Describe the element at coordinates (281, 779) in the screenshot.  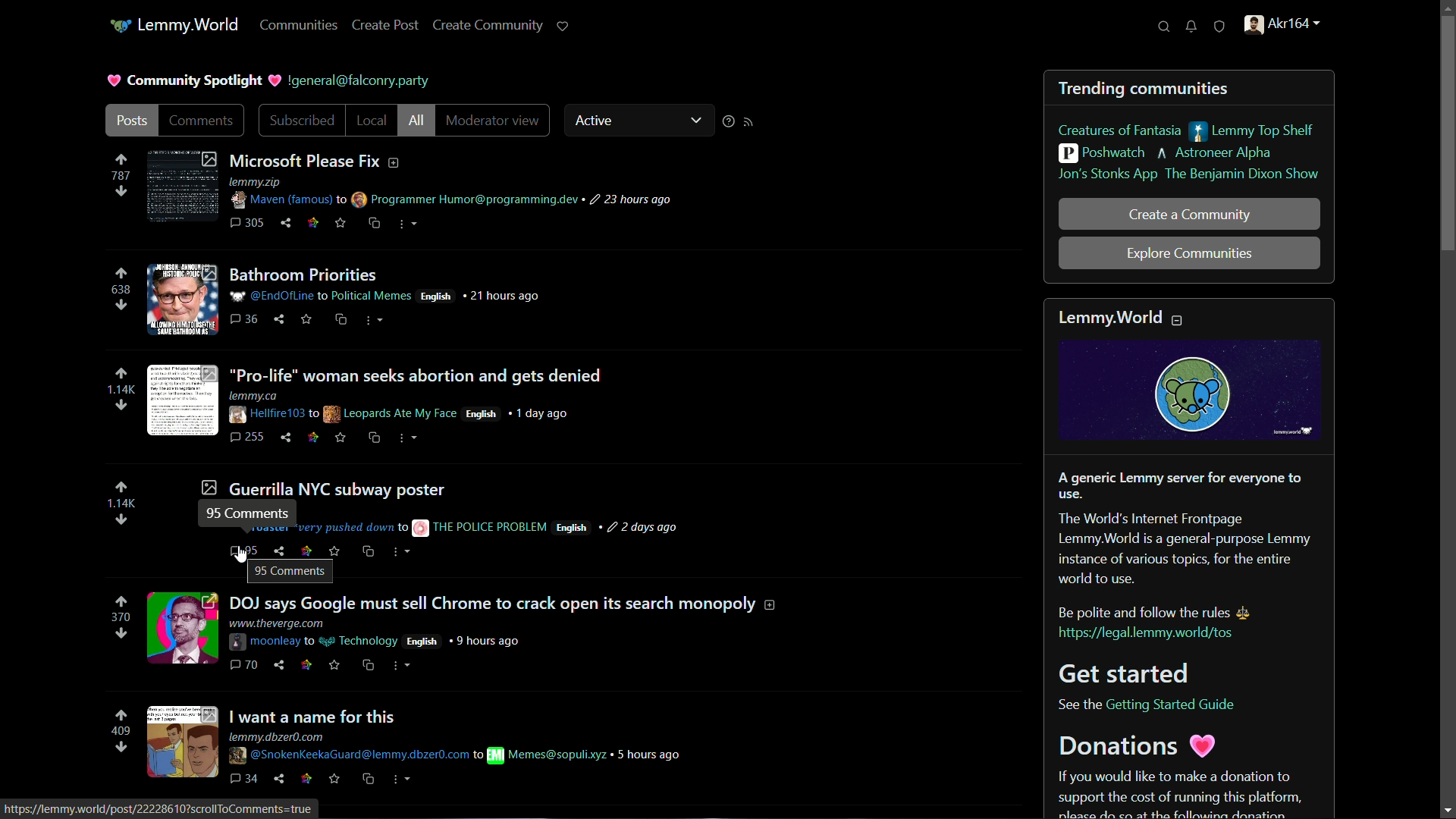
I see `share` at that location.